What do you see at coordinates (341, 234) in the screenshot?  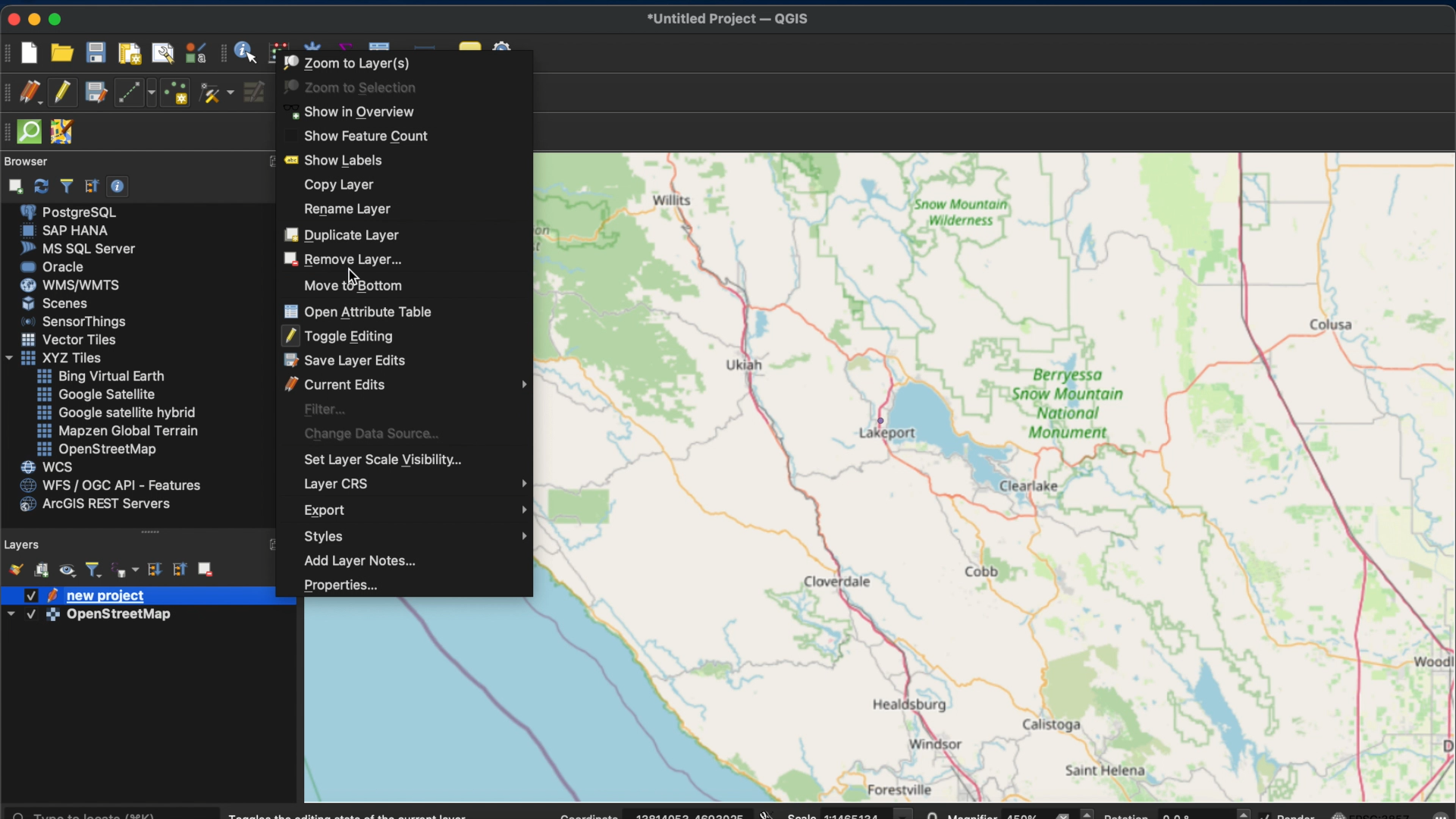 I see `duplicate layer` at bounding box center [341, 234].